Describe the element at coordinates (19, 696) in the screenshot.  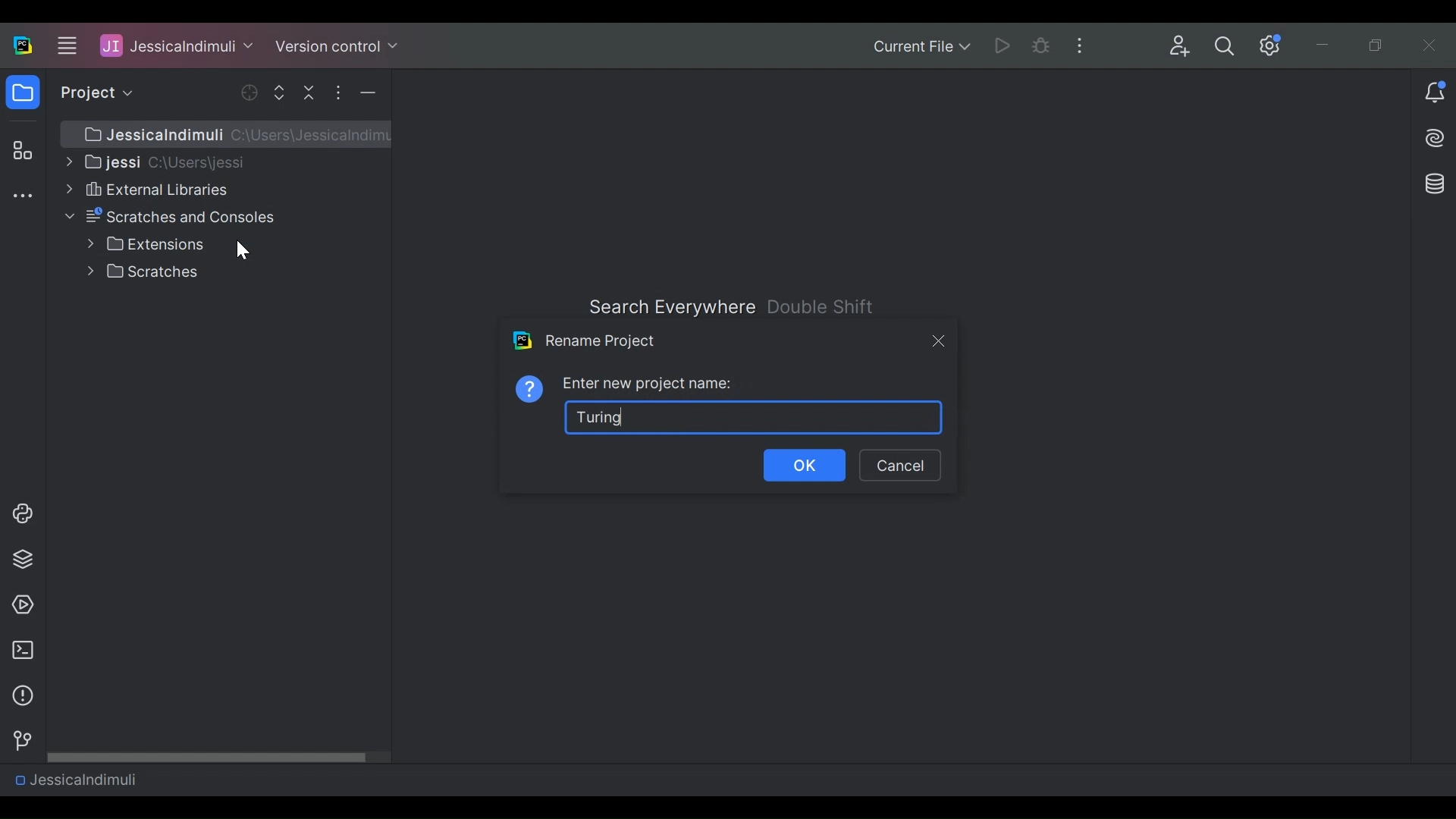
I see `information` at that location.